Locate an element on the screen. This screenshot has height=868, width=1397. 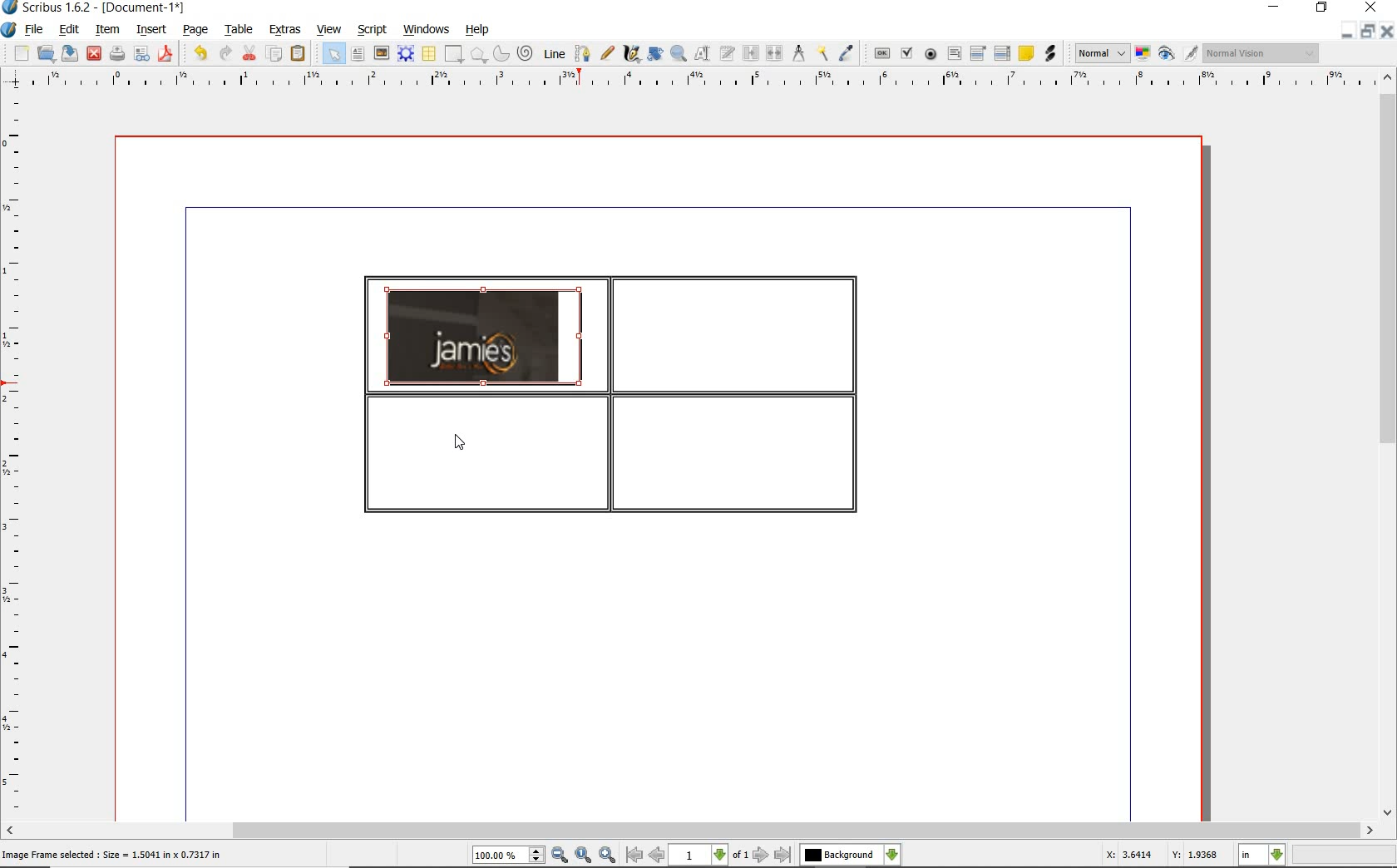
restore is located at coordinates (1366, 32).